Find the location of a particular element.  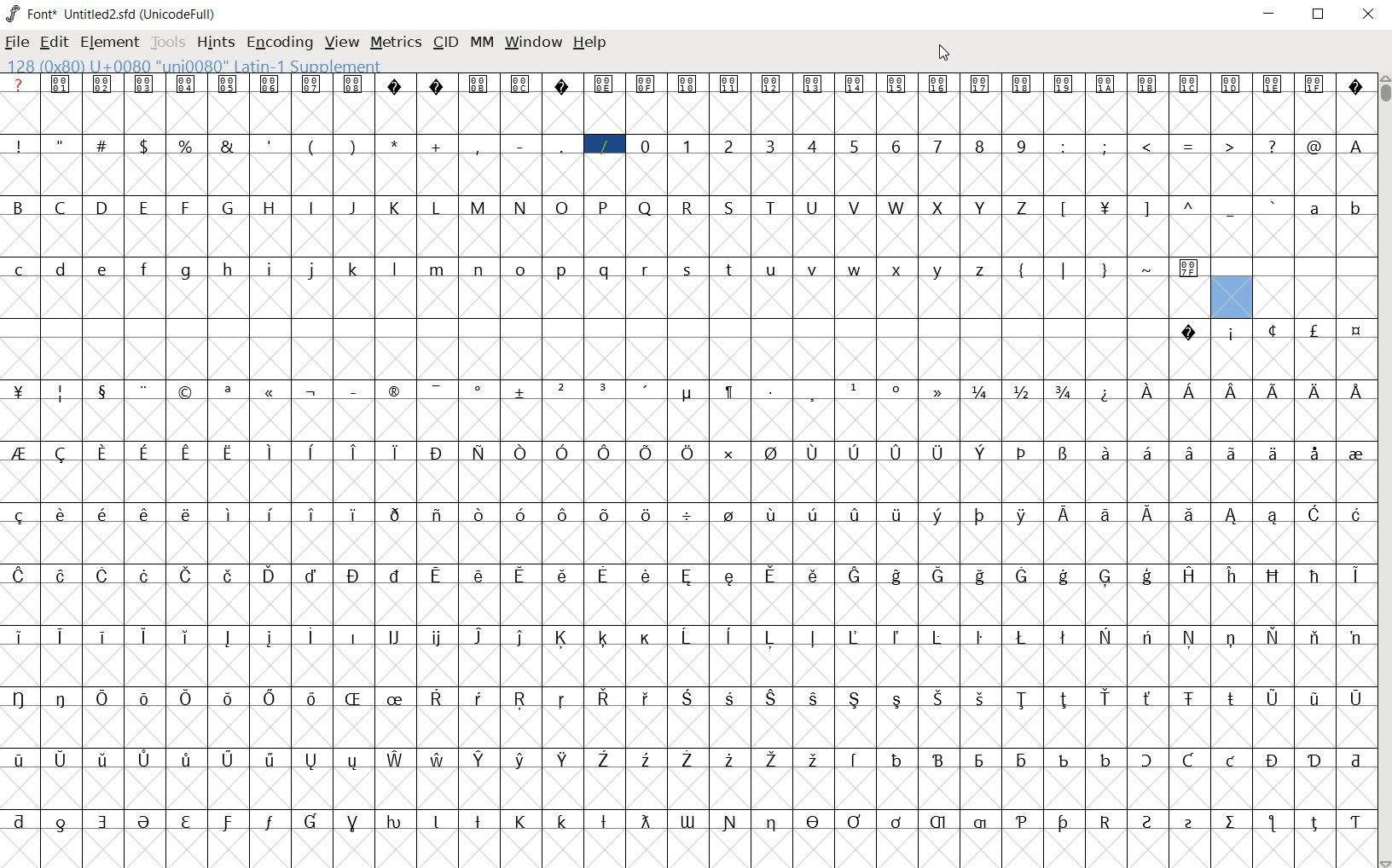

glyph is located at coordinates (1356, 823).